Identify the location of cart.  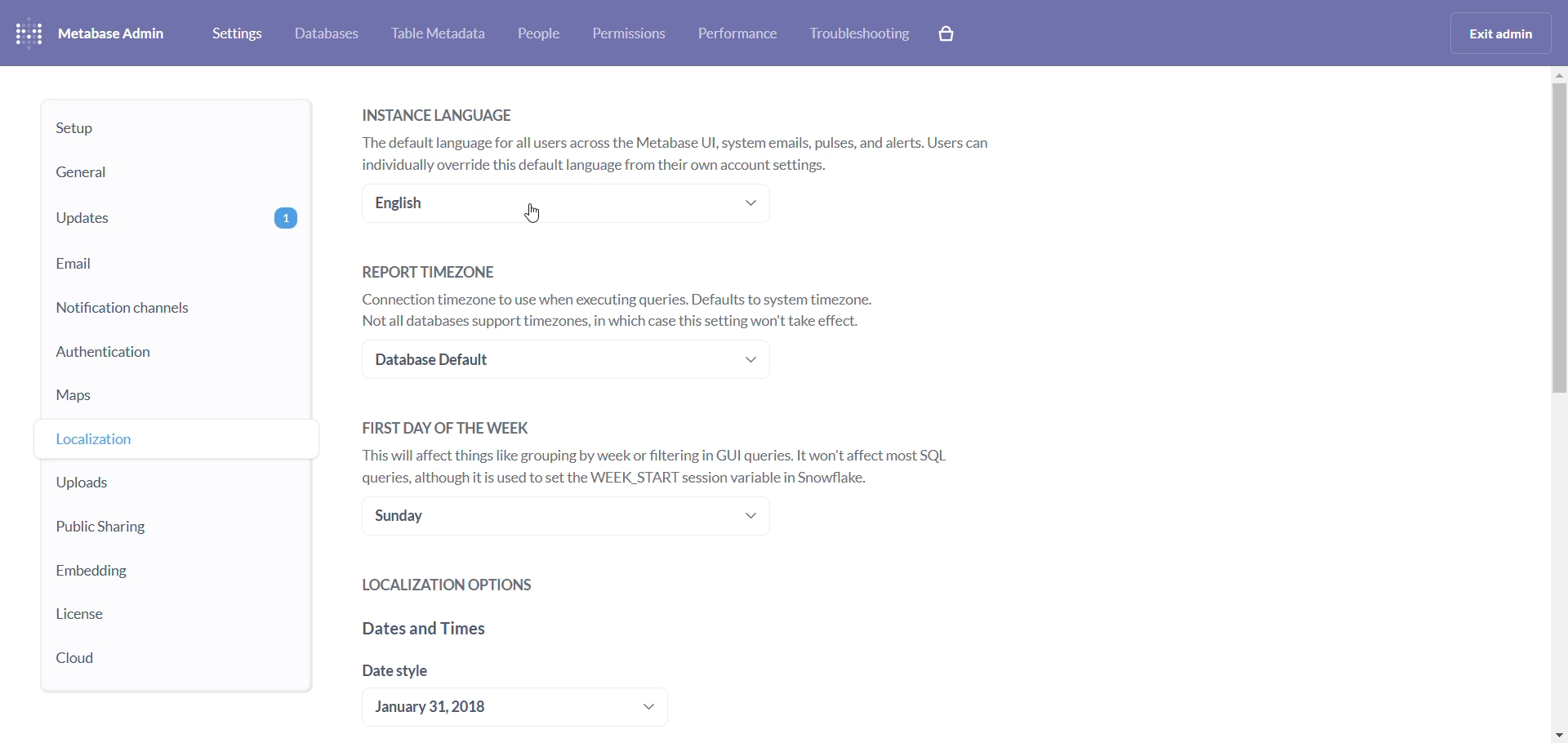
(947, 33).